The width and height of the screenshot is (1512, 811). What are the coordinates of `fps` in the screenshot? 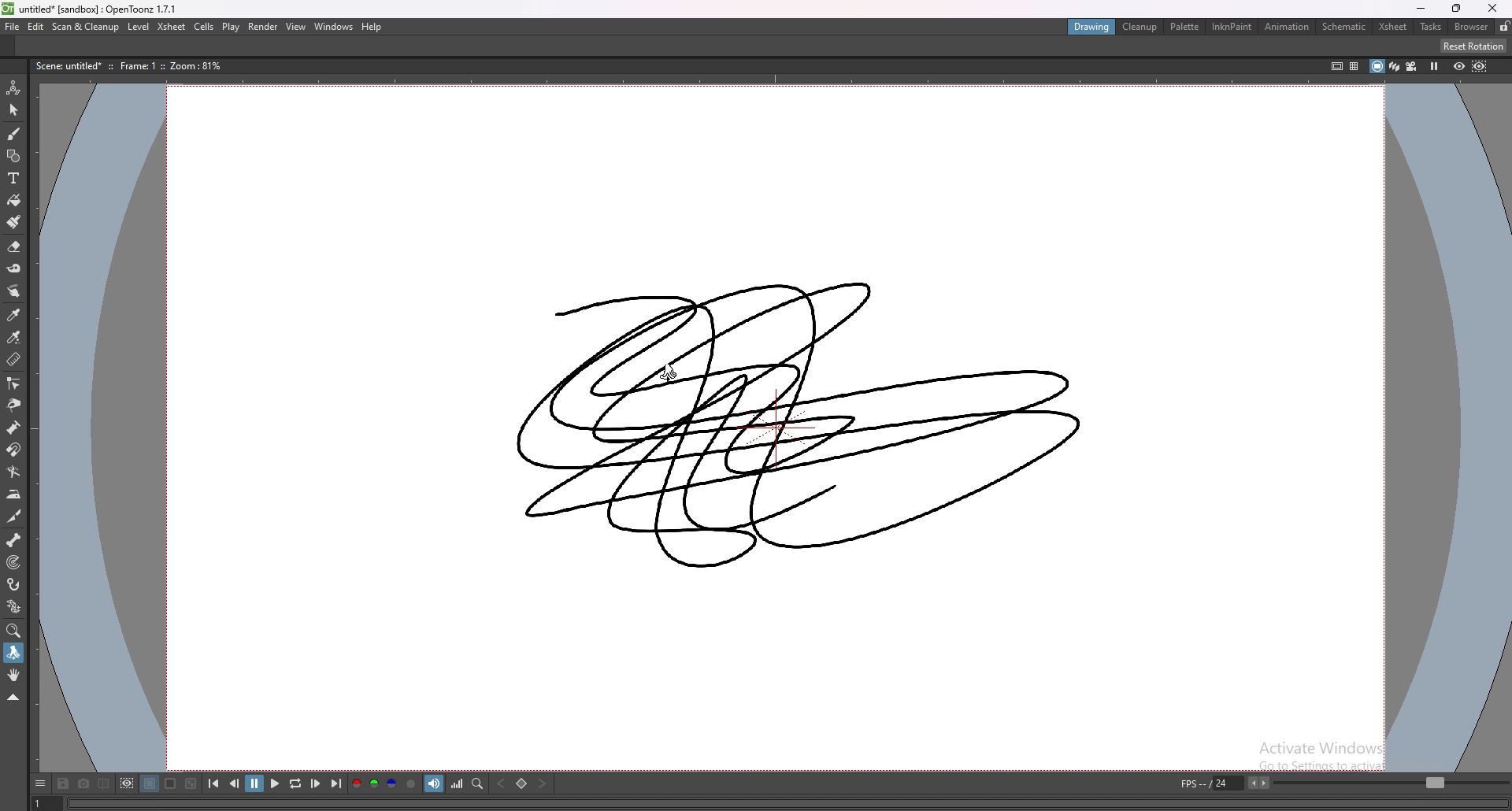 It's located at (1223, 783).